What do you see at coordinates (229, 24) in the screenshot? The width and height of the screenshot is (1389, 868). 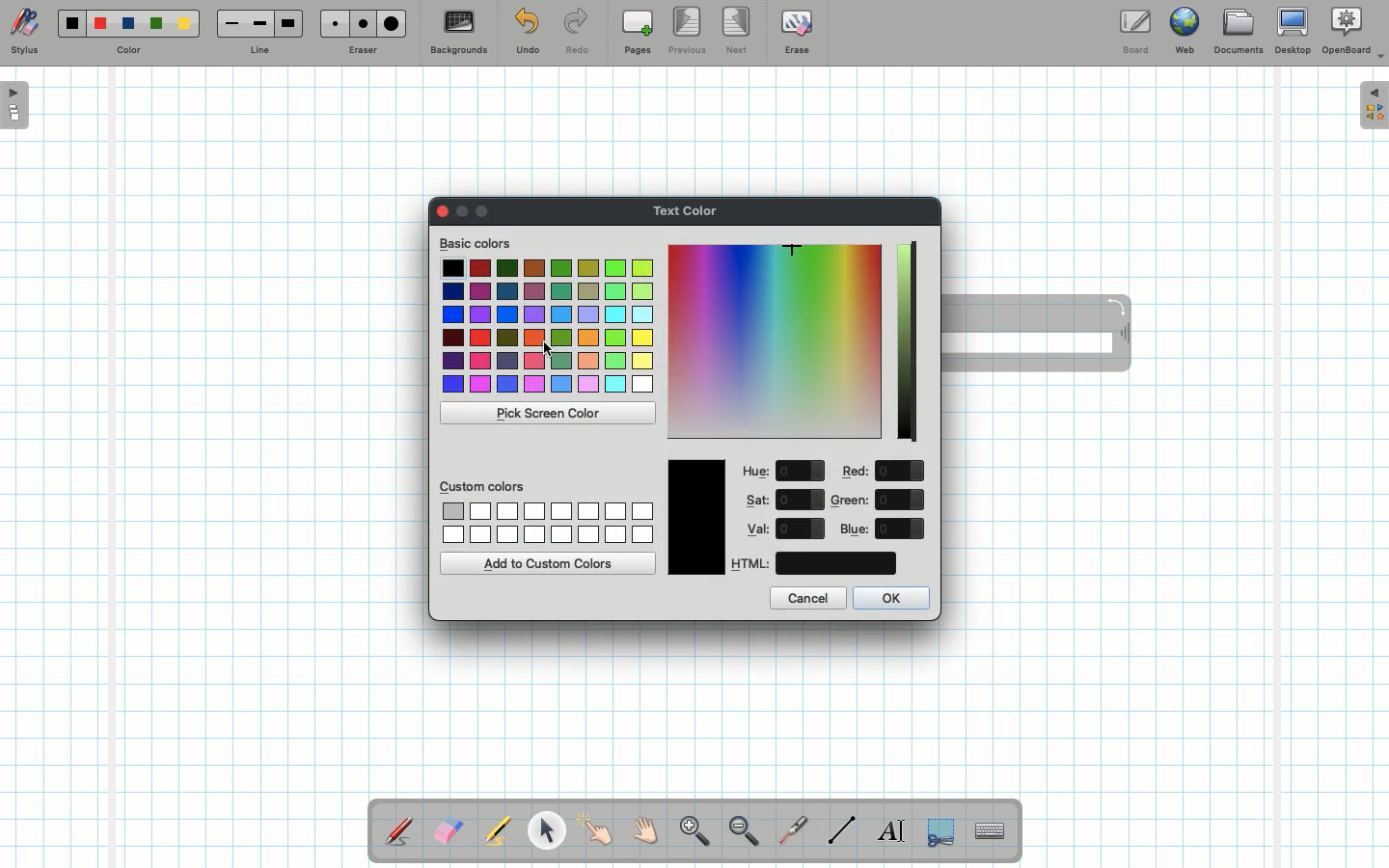 I see `Small line` at bounding box center [229, 24].